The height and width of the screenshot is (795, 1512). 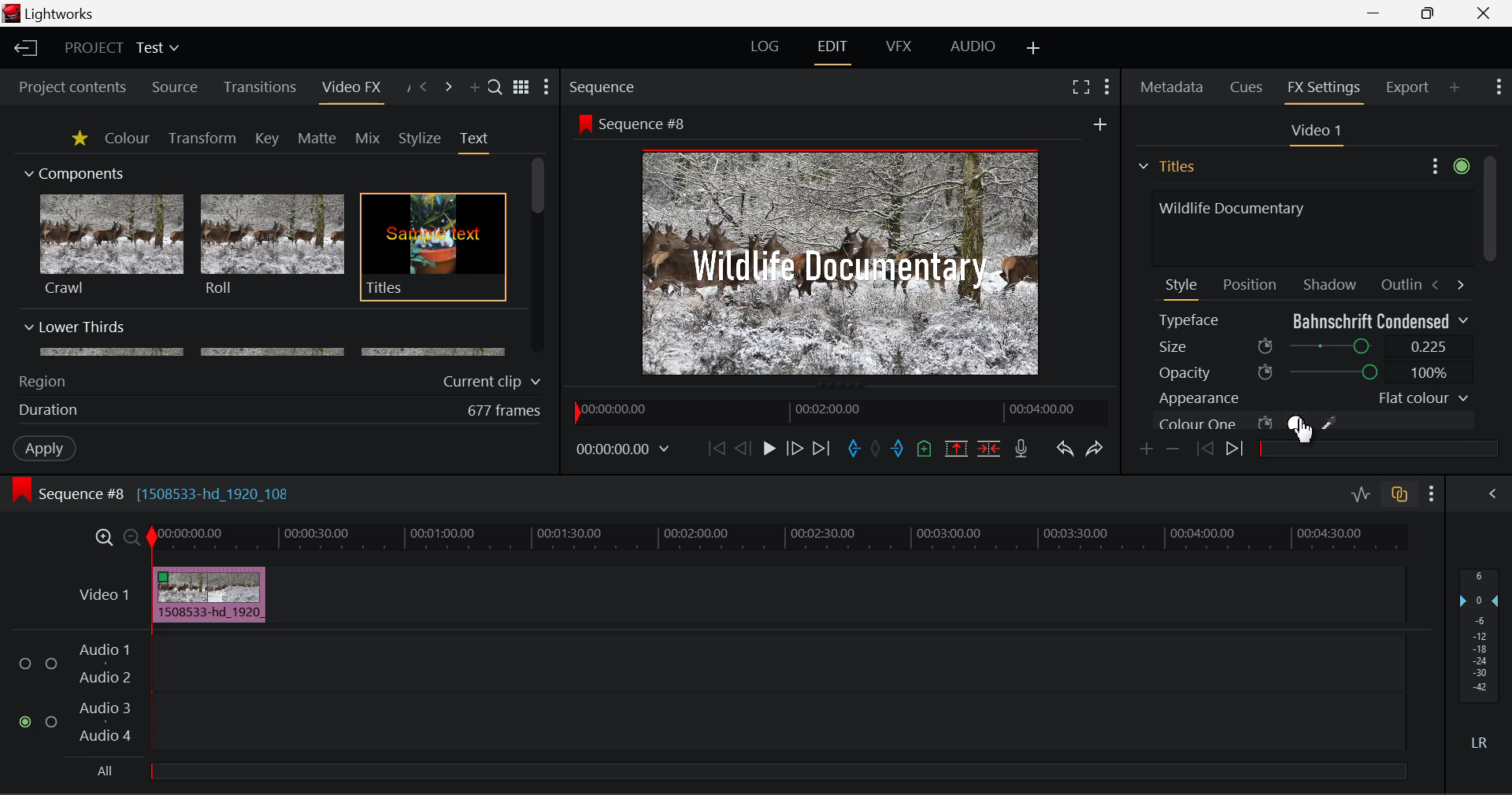 I want to click on Colour One, so click(x=1274, y=423).